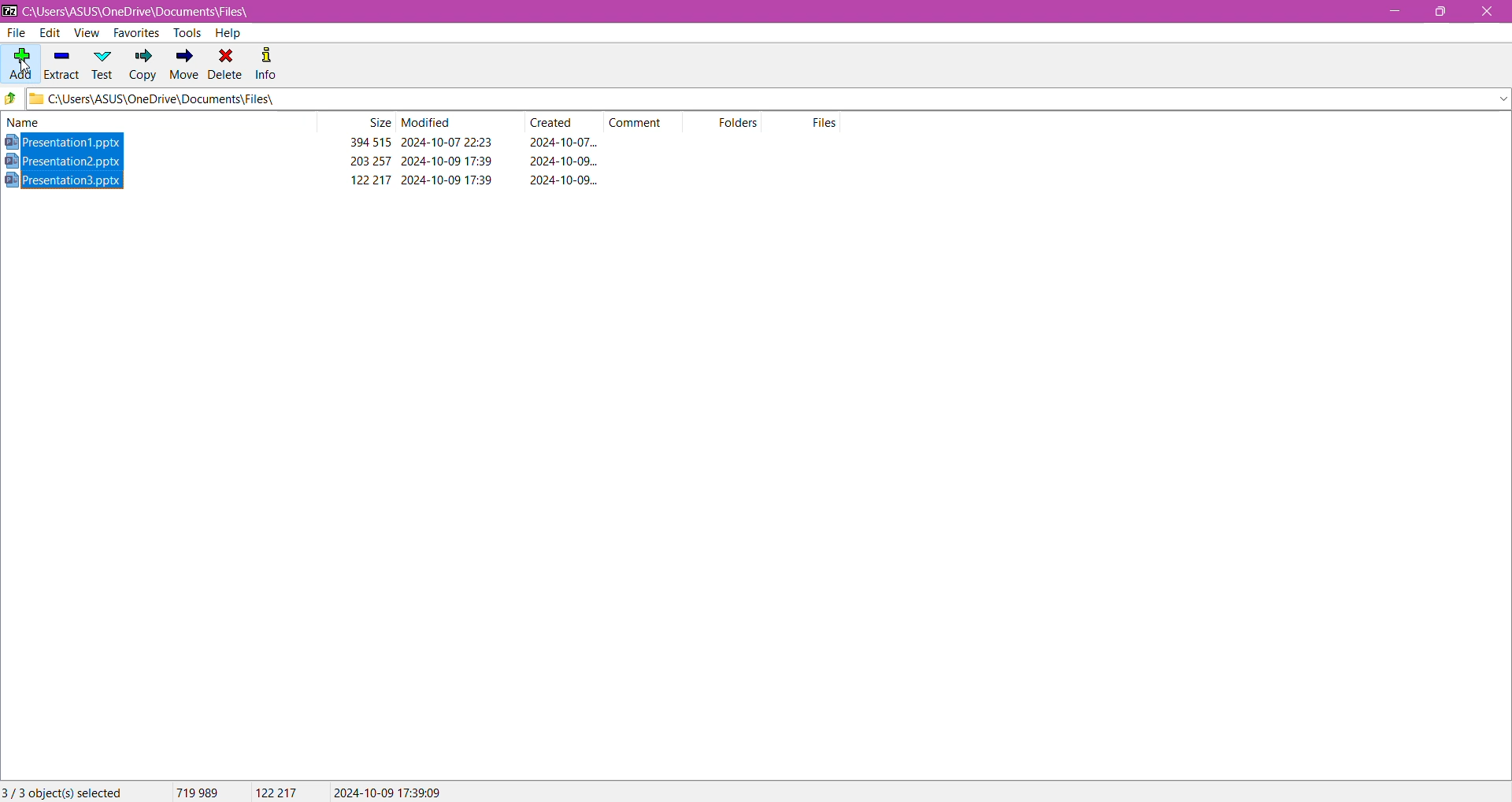  I want to click on Name, so click(39, 122).